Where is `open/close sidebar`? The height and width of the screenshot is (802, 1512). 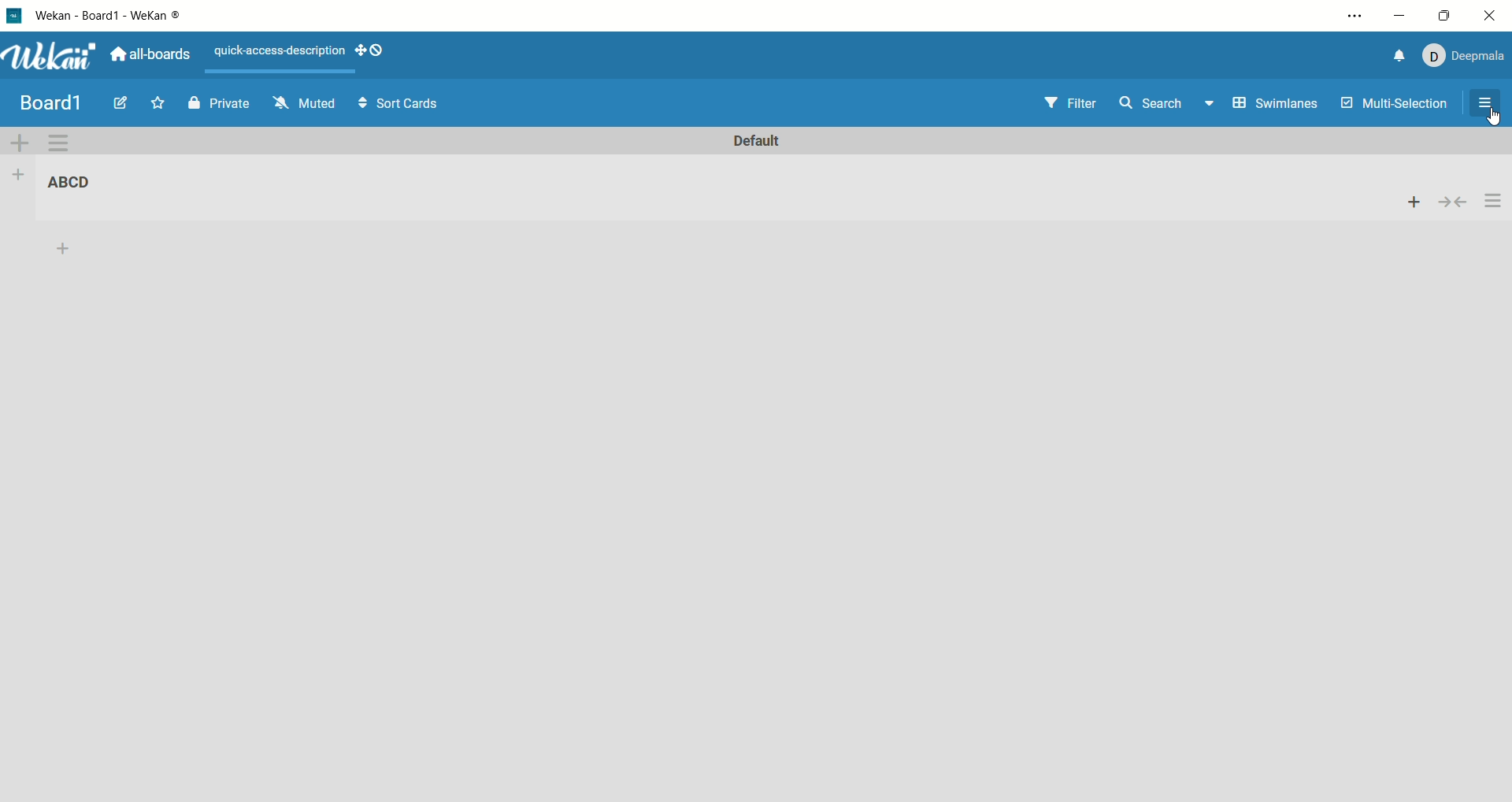
open/close sidebar is located at coordinates (1486, 104).